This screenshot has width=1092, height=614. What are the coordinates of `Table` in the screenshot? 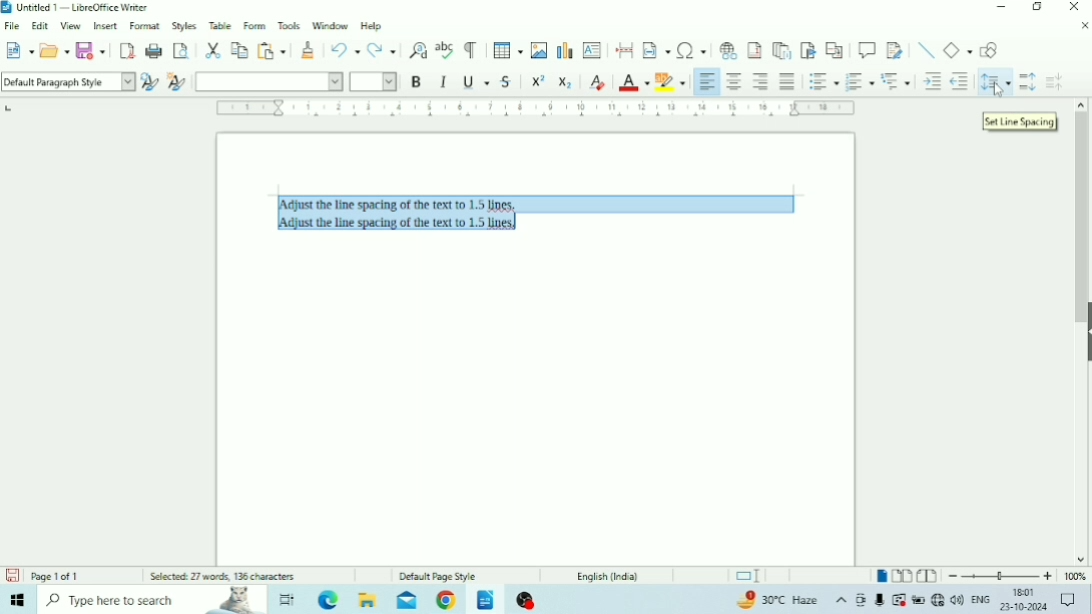 It's located at (221, 25).